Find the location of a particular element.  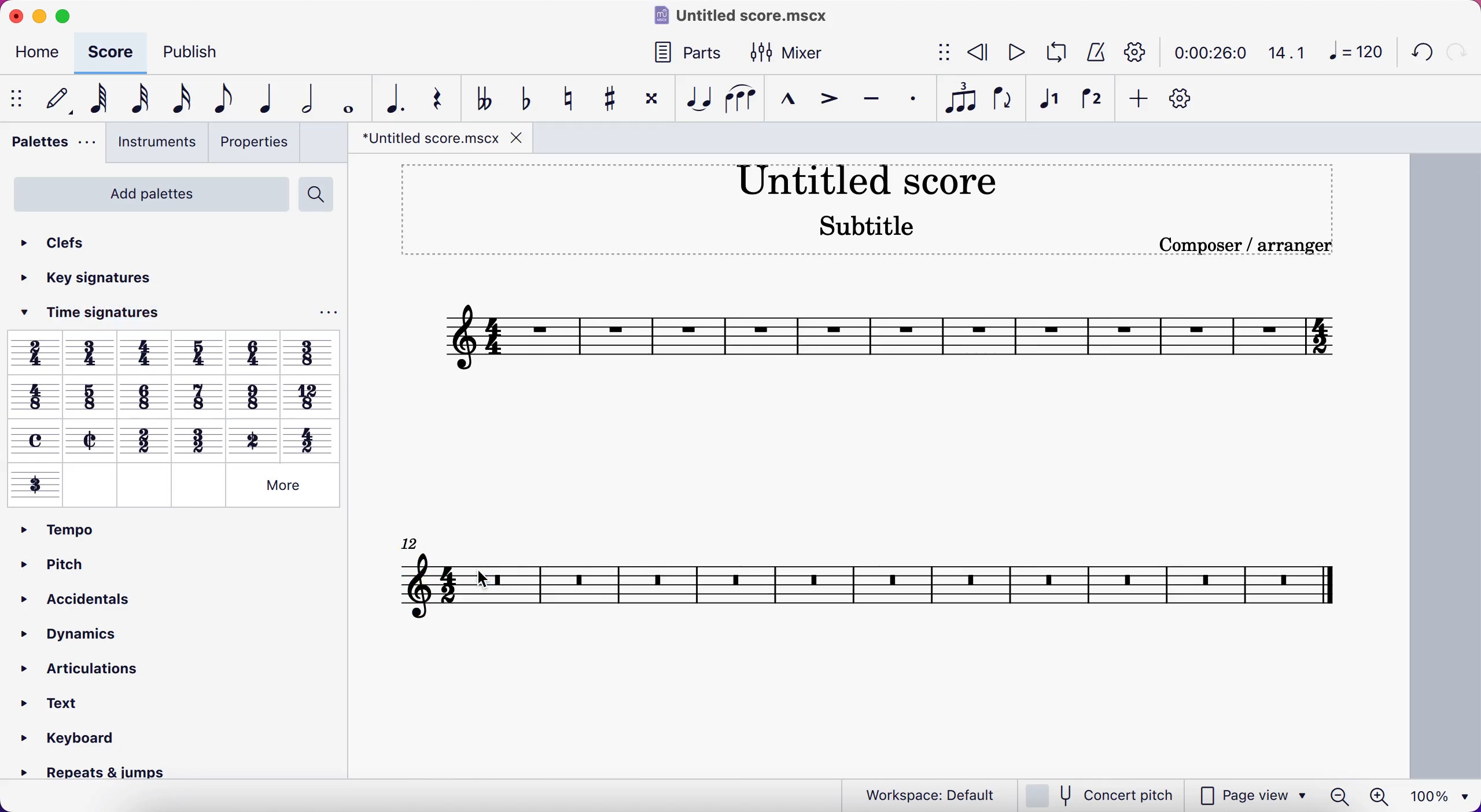

play is located at coordinates (1010, 53).